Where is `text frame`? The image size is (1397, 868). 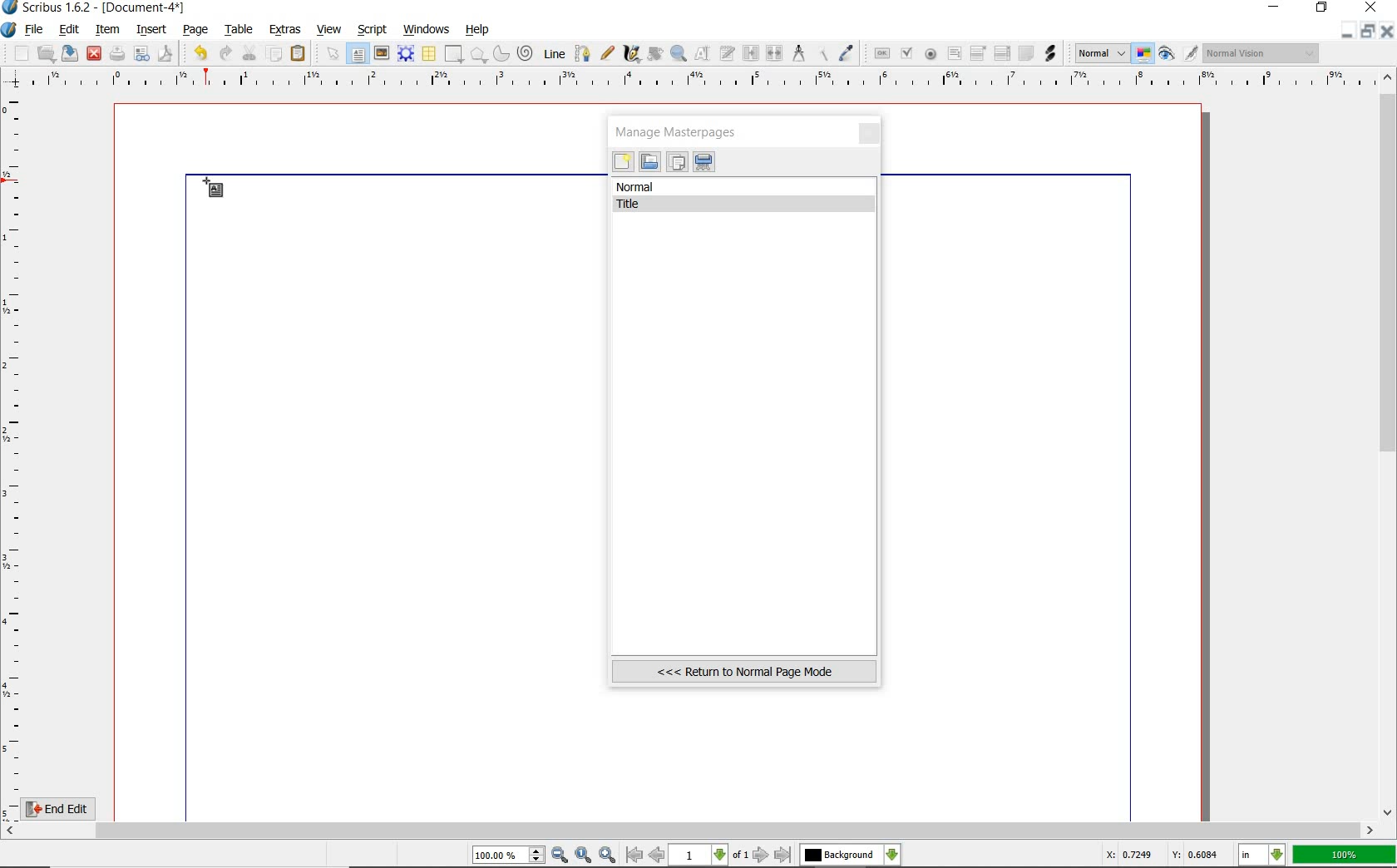 text frame is located at coordinates (359, 54).